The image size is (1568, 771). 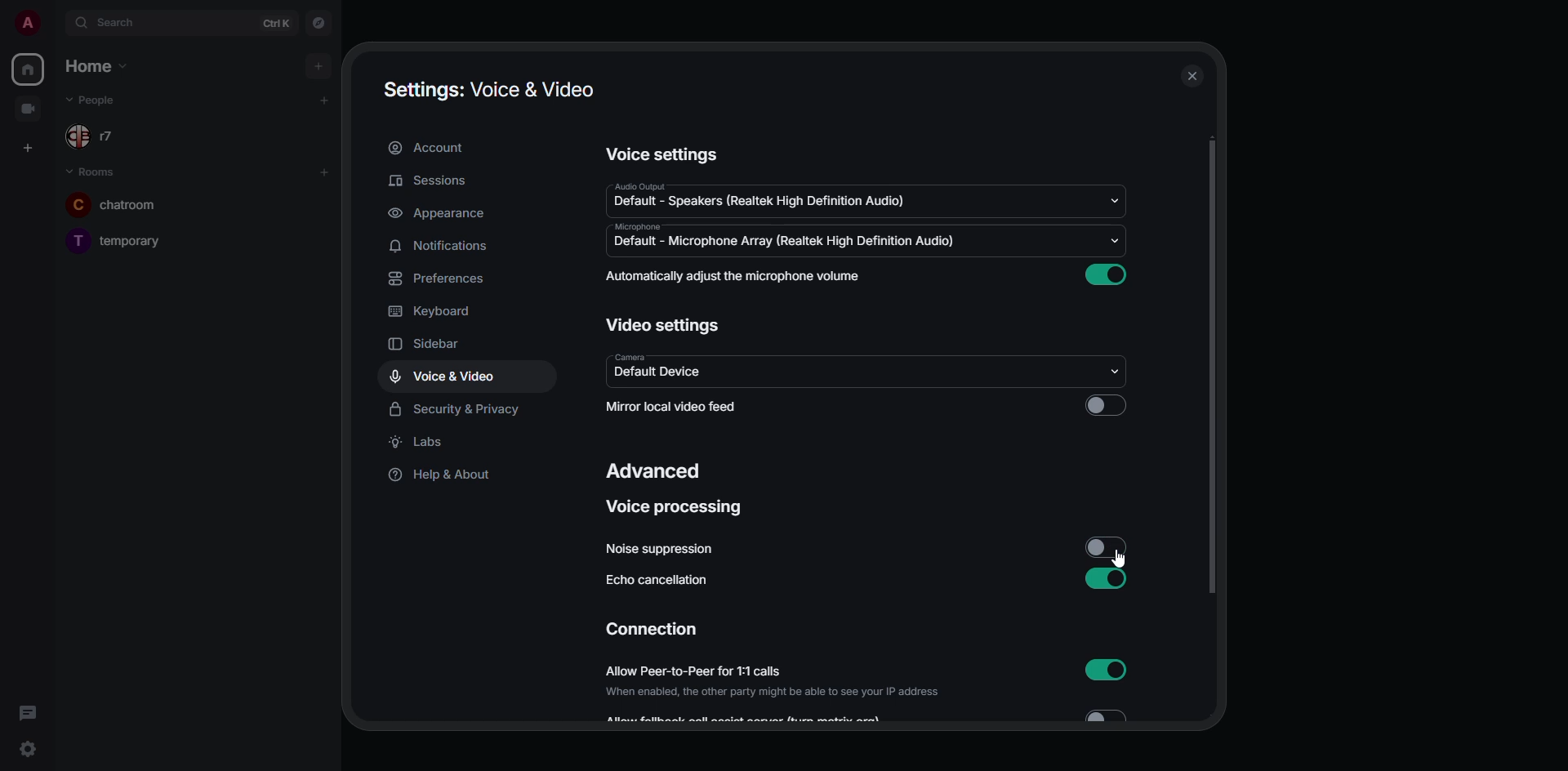 What do you see at coordinates (639, 185) in the screenshot?
I see `audio output` at bounding box center [639, 185].